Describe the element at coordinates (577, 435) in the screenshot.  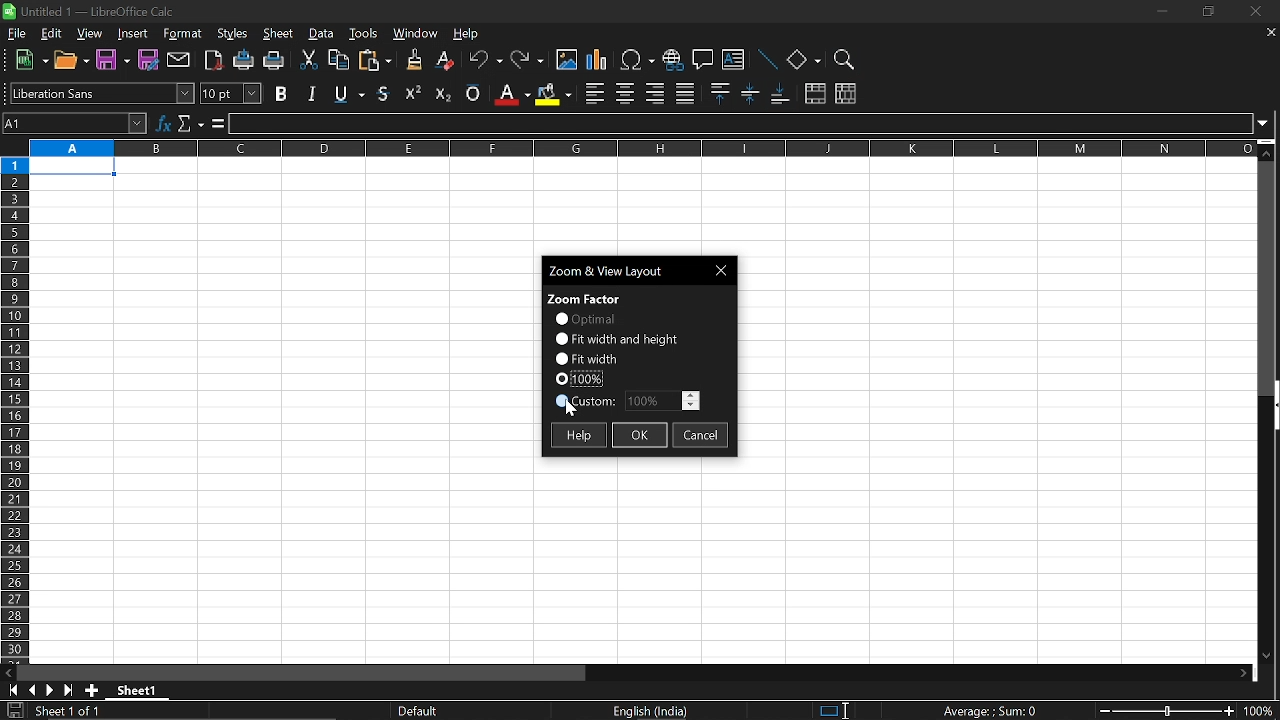
I see `help` at that location.